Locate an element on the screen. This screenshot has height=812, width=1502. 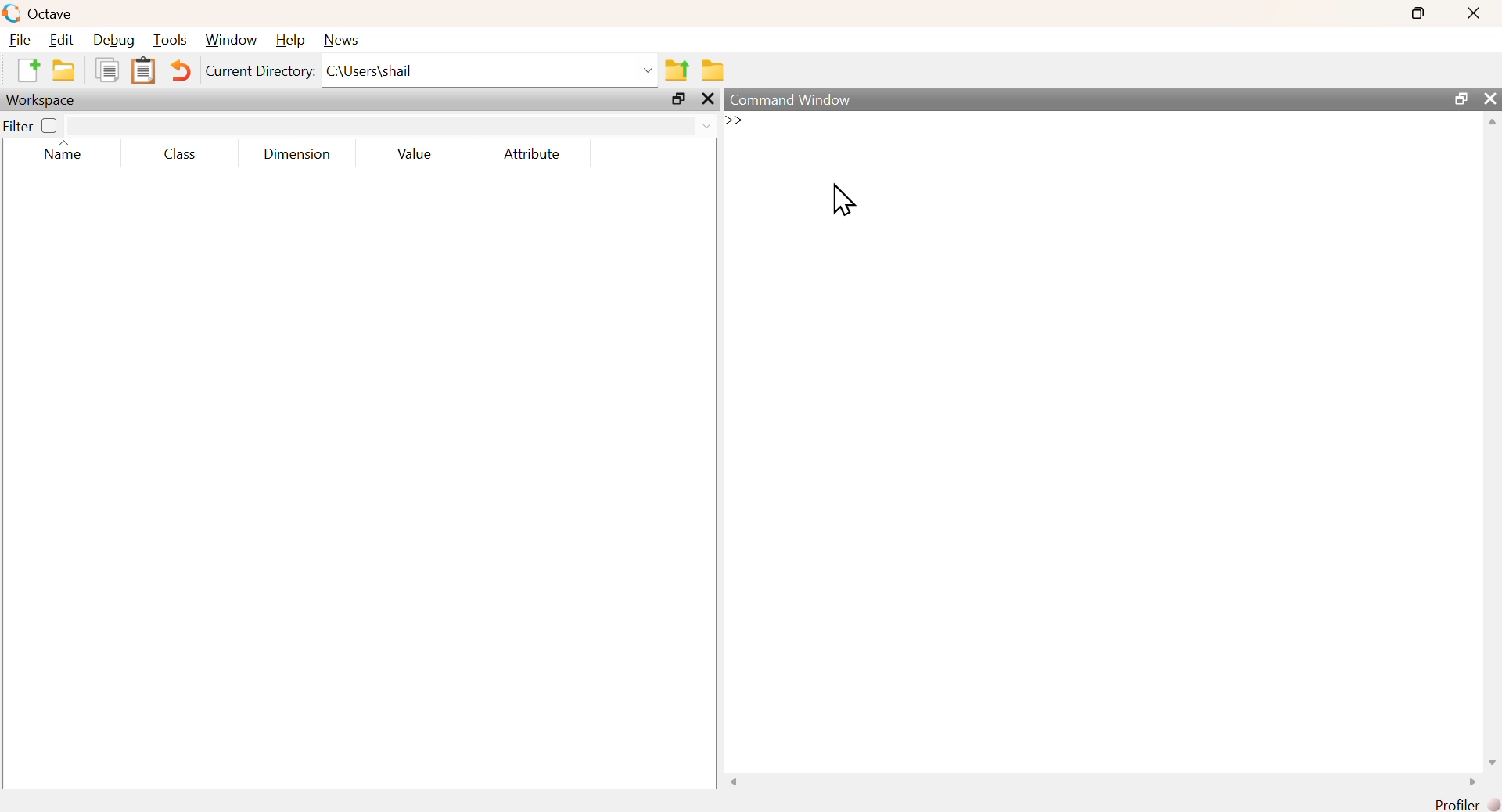
scrollbar is located at coordinates (1102, 784).